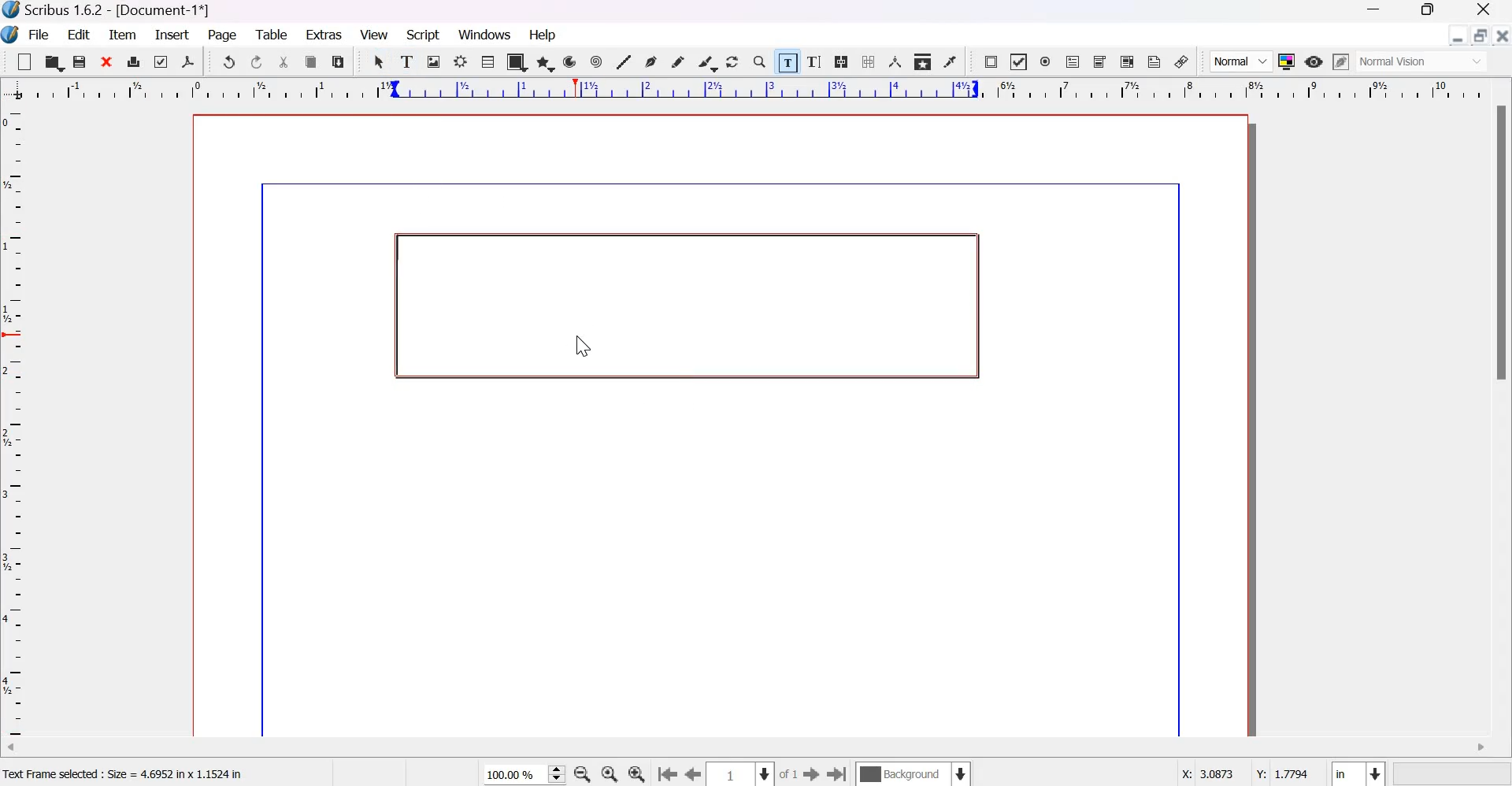 The width and height of the screenshot is (1512, 786). Describe the element at coordinates (707, 61) in the screenshot. I see `Calligraphic line` at that location.